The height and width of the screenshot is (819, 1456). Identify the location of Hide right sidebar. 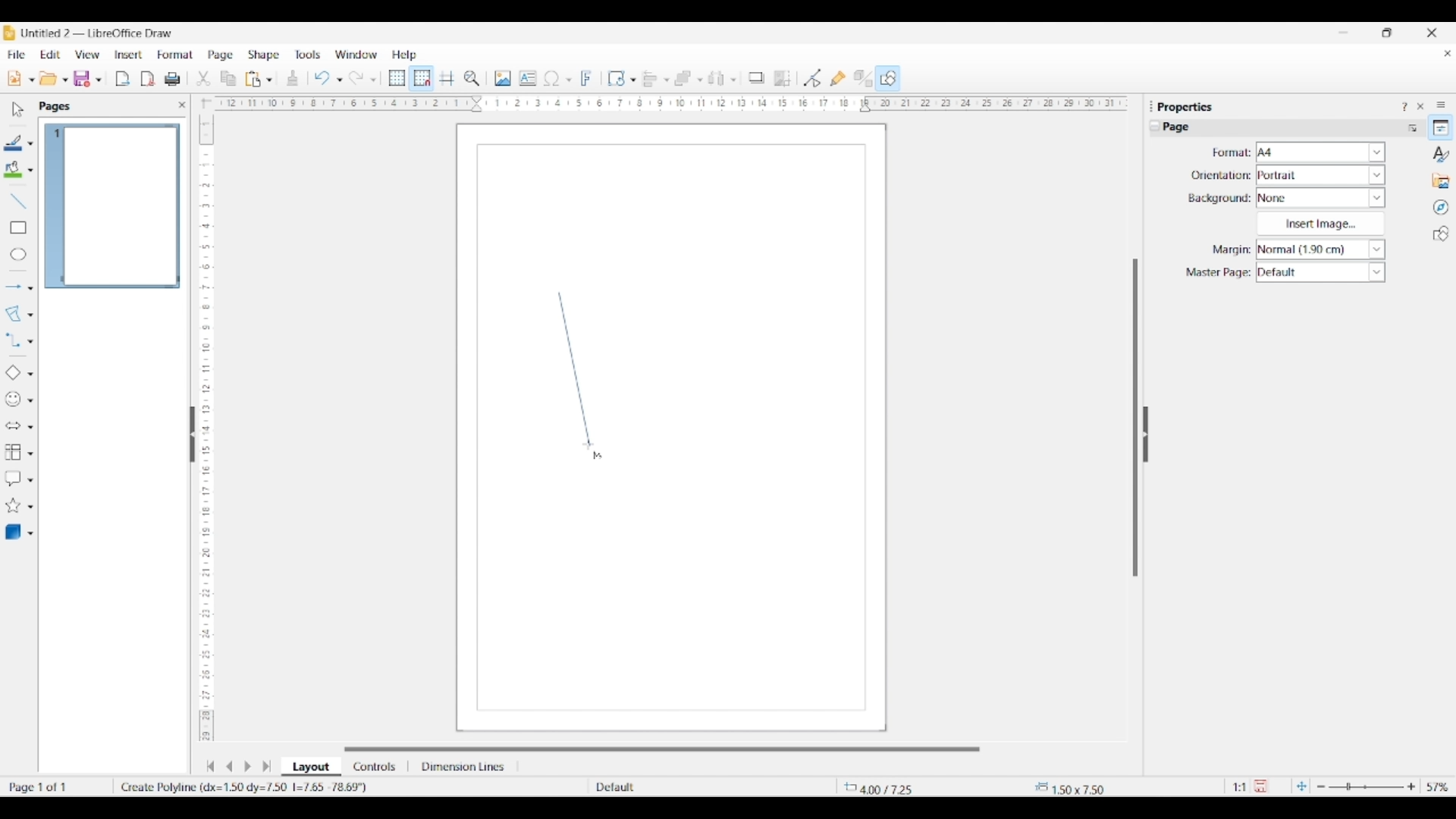
(1145, 435).